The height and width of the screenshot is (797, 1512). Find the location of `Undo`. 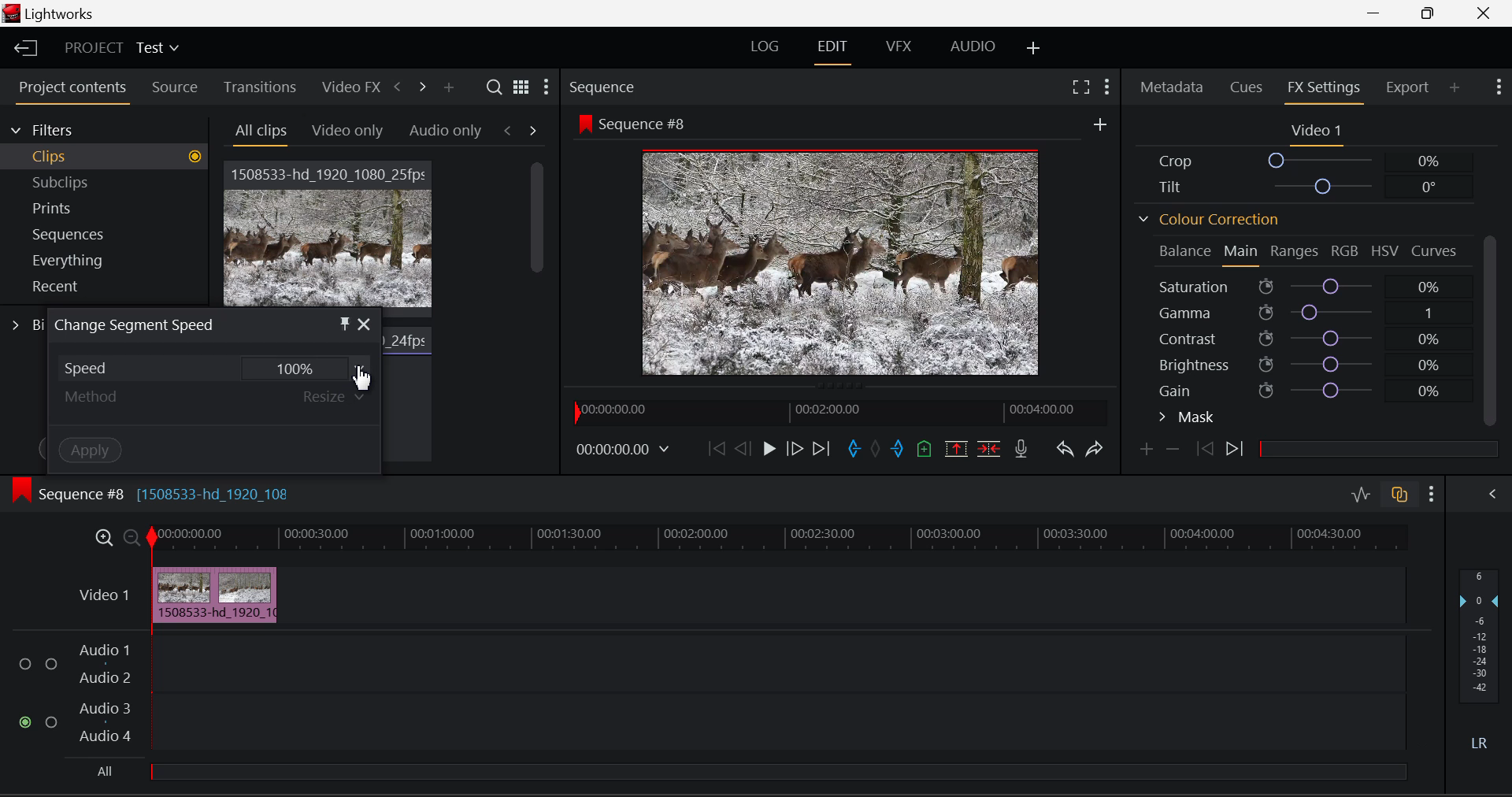

Undo is located at coordinates (1063, 451).